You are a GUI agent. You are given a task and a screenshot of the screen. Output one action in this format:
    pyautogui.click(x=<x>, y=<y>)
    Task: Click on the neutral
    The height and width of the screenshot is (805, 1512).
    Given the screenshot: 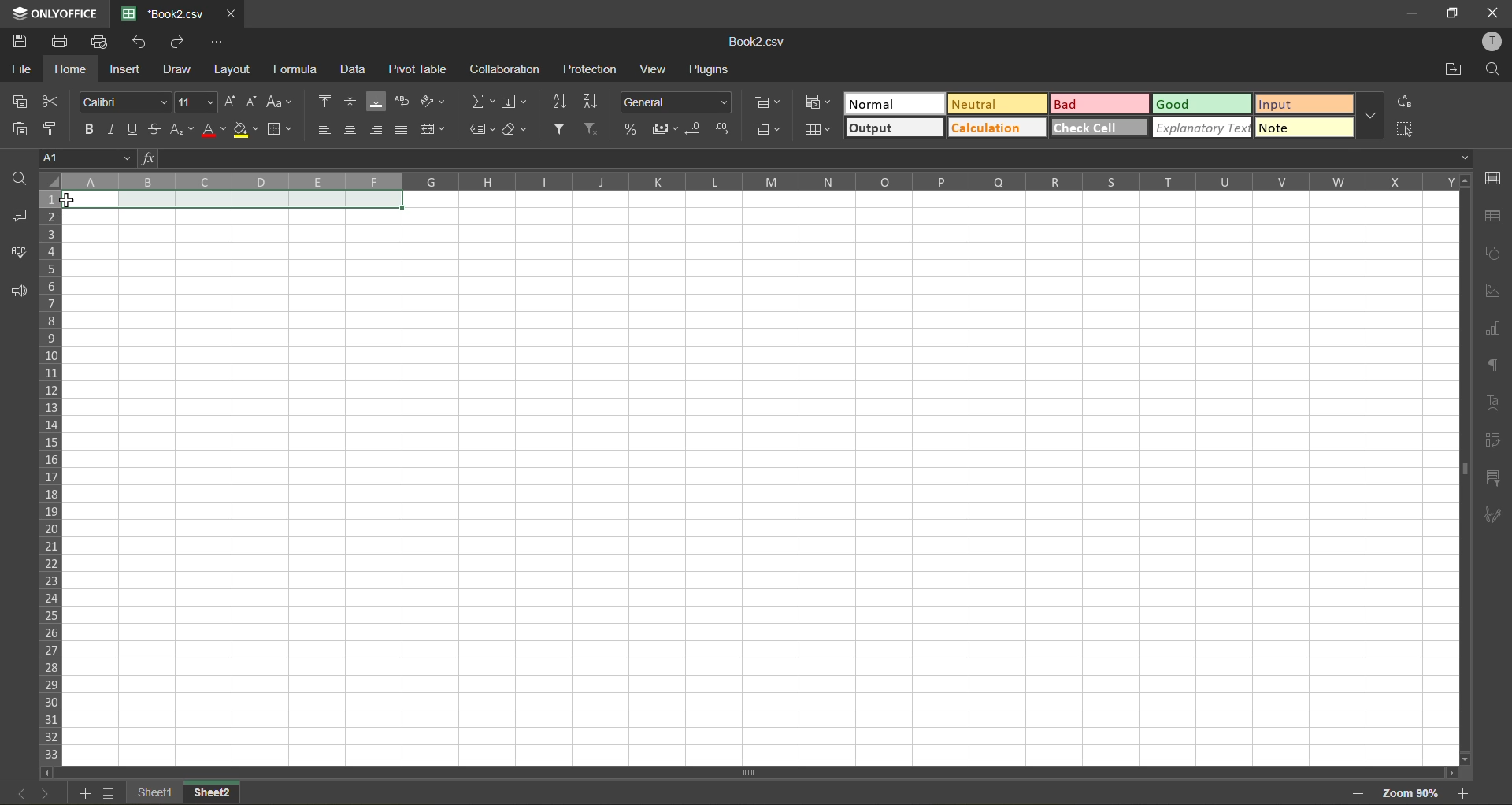 What is the action you would take?
    pyautogui.click(x=994, y=103)
    